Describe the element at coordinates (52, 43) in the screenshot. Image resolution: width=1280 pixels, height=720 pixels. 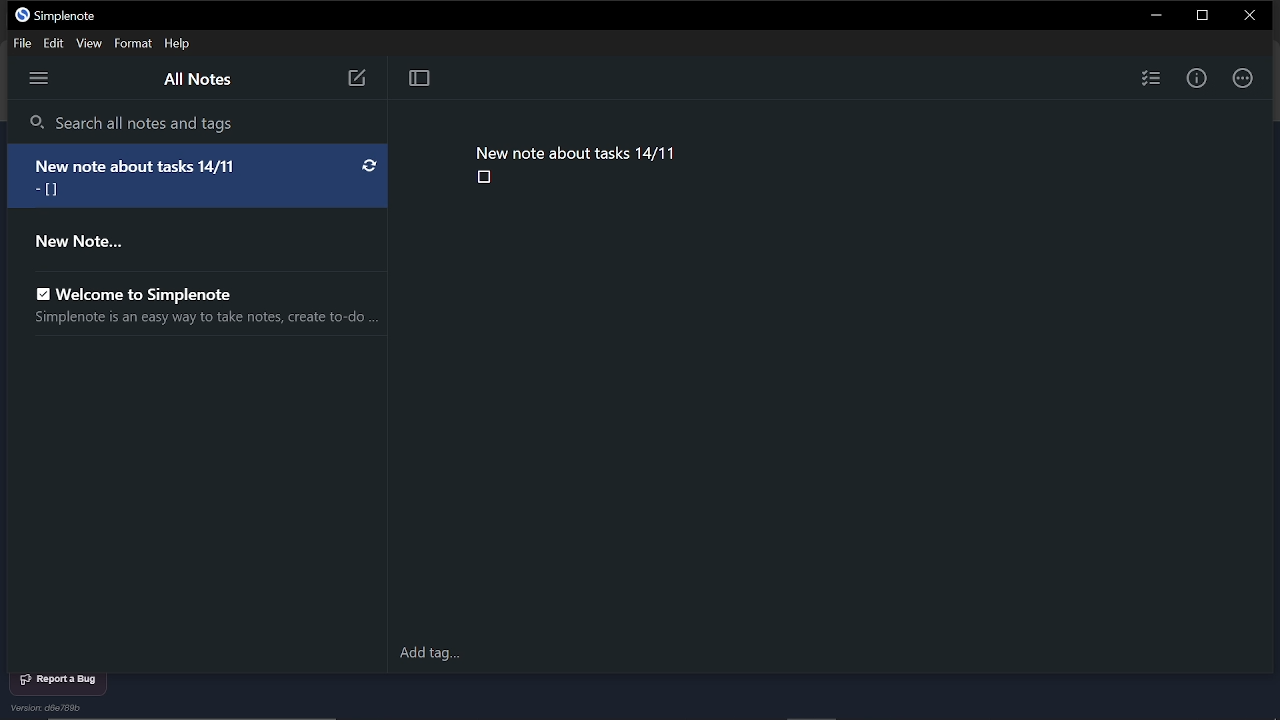
I see `Edit` at that location.